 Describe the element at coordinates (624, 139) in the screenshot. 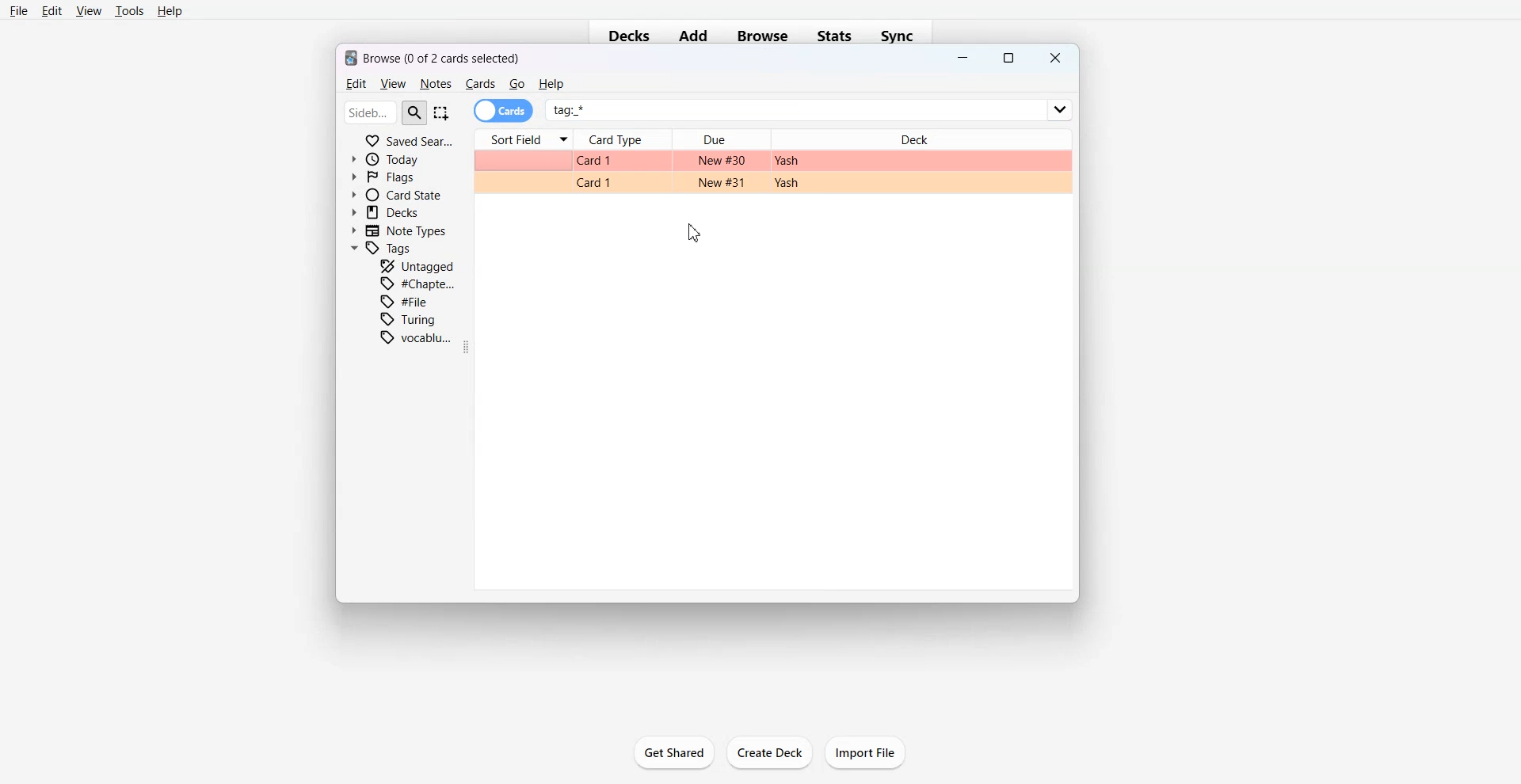

I see `Card Type` at that location.